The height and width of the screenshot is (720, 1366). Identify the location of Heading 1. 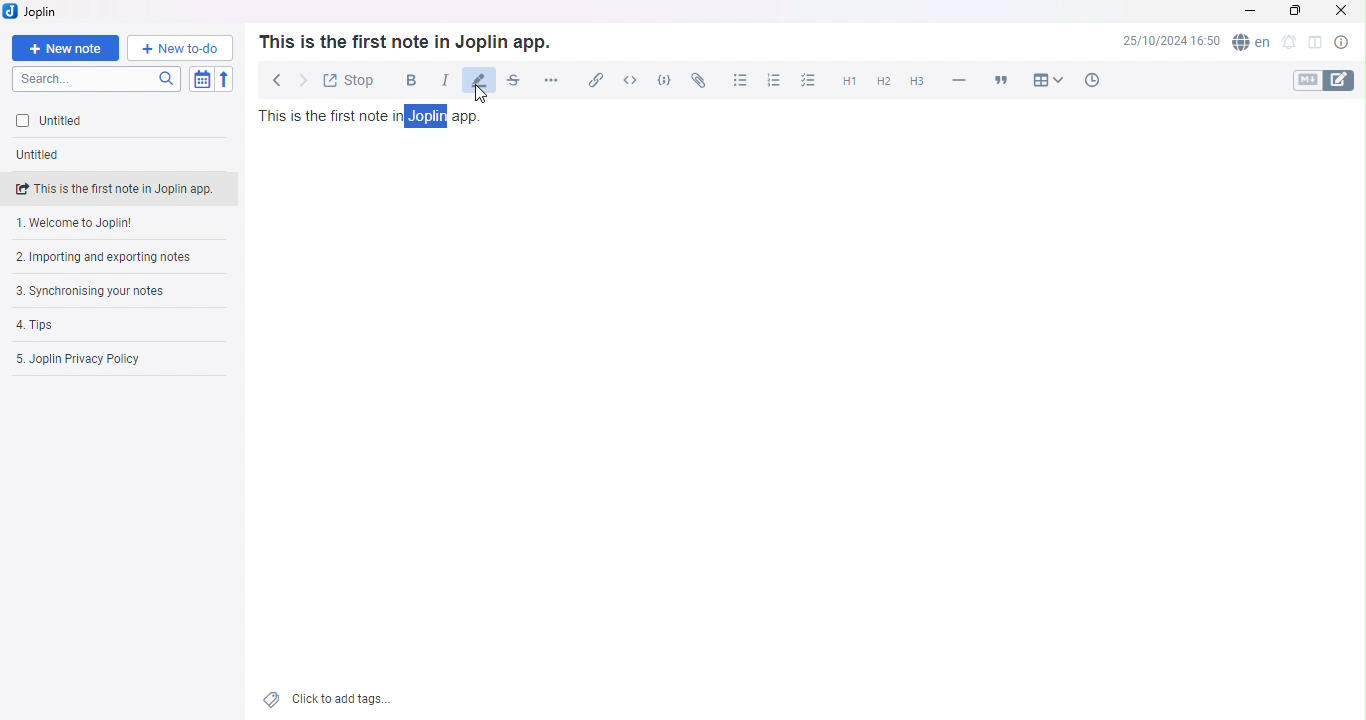
(848, 82).